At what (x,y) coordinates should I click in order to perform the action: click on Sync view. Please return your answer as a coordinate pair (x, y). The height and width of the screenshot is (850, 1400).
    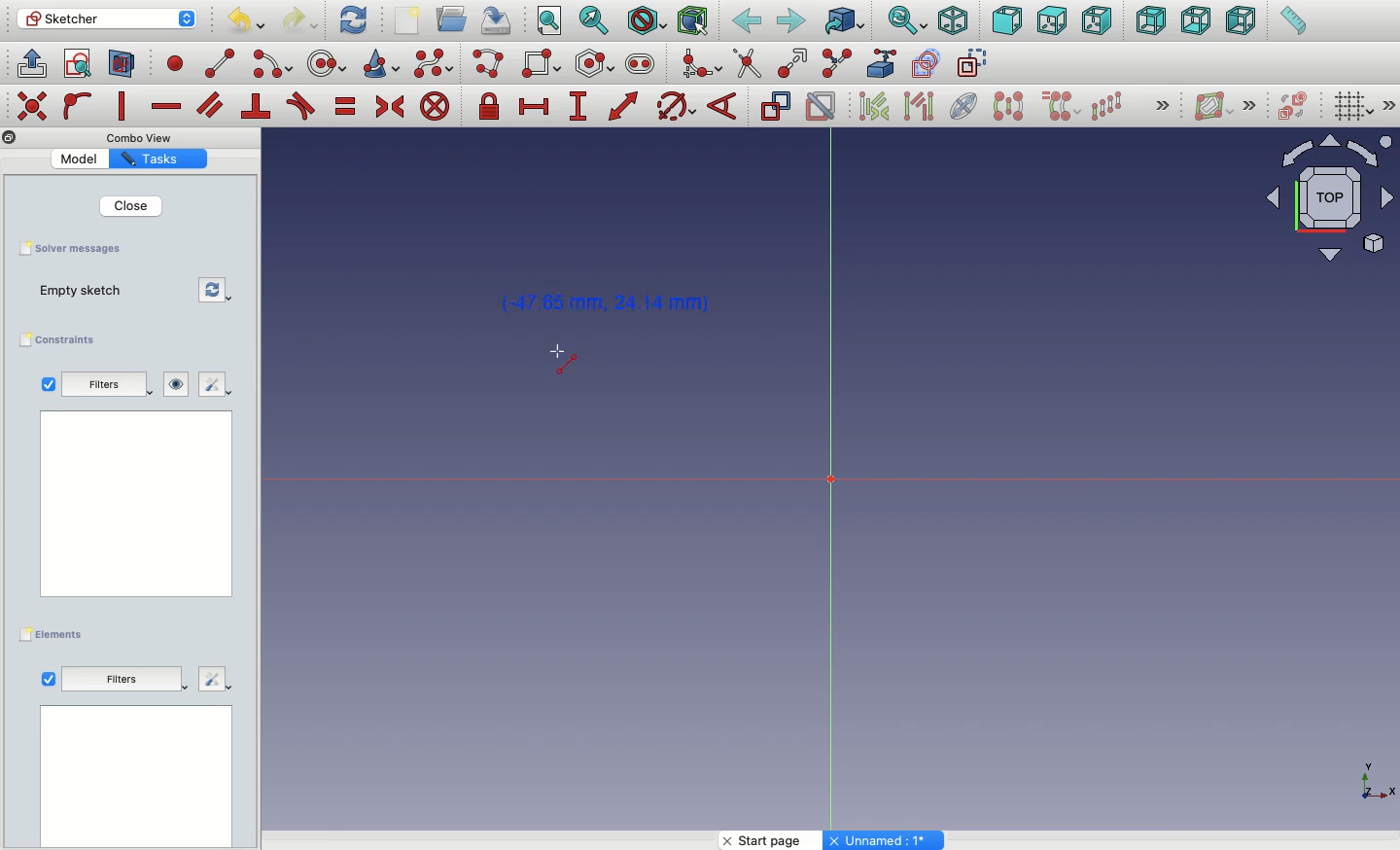
    Looking at the image, I should click on (907, 20).